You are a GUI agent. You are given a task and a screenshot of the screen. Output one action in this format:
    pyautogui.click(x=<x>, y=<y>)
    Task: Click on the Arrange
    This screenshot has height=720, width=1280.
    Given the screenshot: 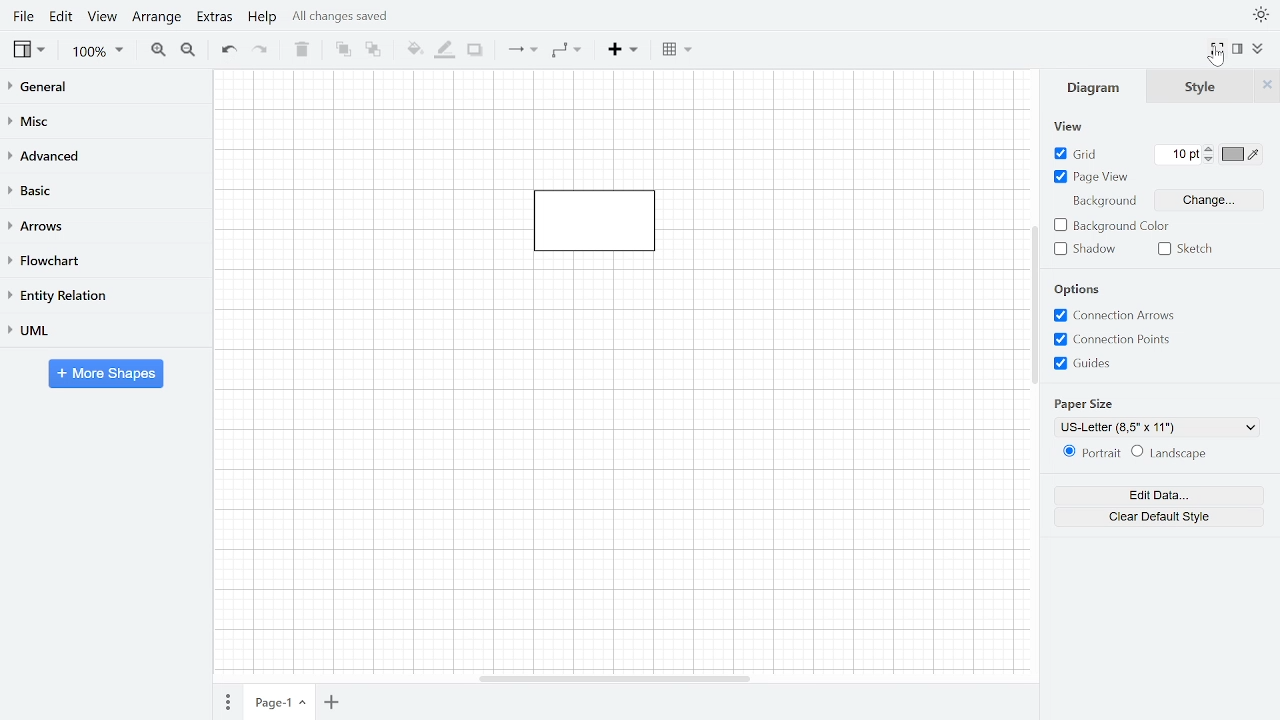 What is the action you would take?
    pyautogui.click(x=157, y=20)
    